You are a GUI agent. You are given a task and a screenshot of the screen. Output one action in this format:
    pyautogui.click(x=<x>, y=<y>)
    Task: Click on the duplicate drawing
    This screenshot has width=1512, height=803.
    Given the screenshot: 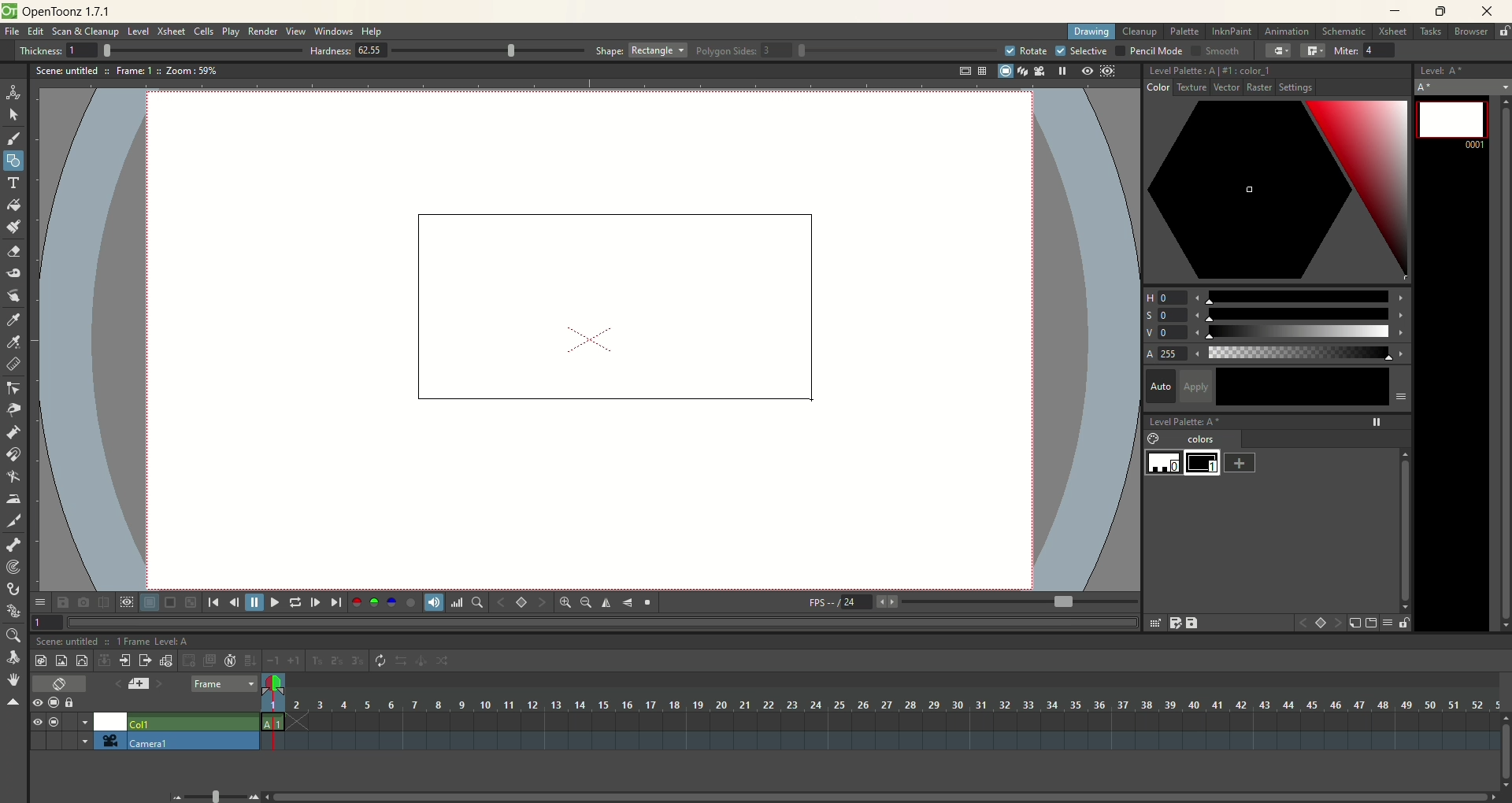 What is the action you would take?
    pyautogui.click(x=210, y=661)
    